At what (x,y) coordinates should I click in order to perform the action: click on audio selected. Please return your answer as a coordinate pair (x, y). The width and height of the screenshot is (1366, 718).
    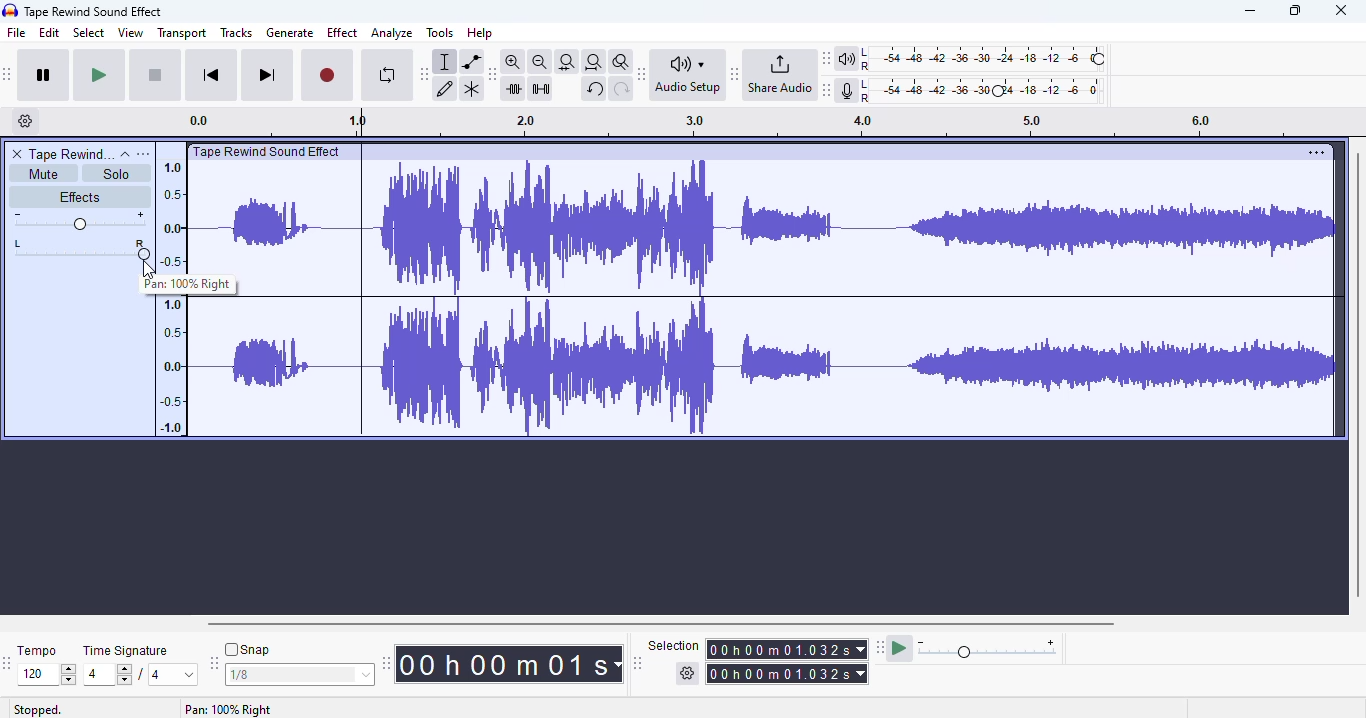
    Looking at the image, I should click on (766, 300).